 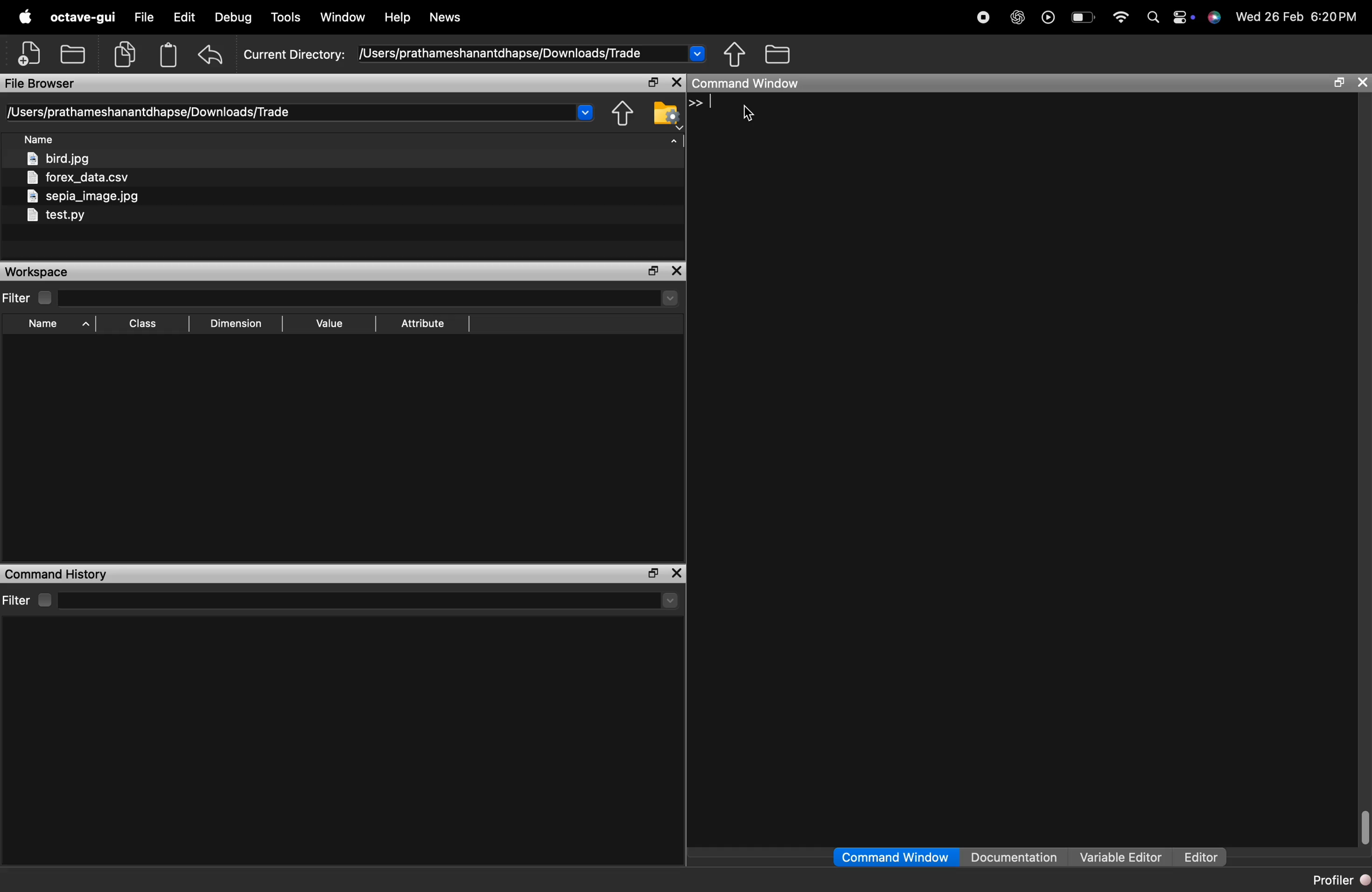 What do you see at coordinates (1084, 17) in the screenshot?
I see `battery` at bounding box center [1084, 17].